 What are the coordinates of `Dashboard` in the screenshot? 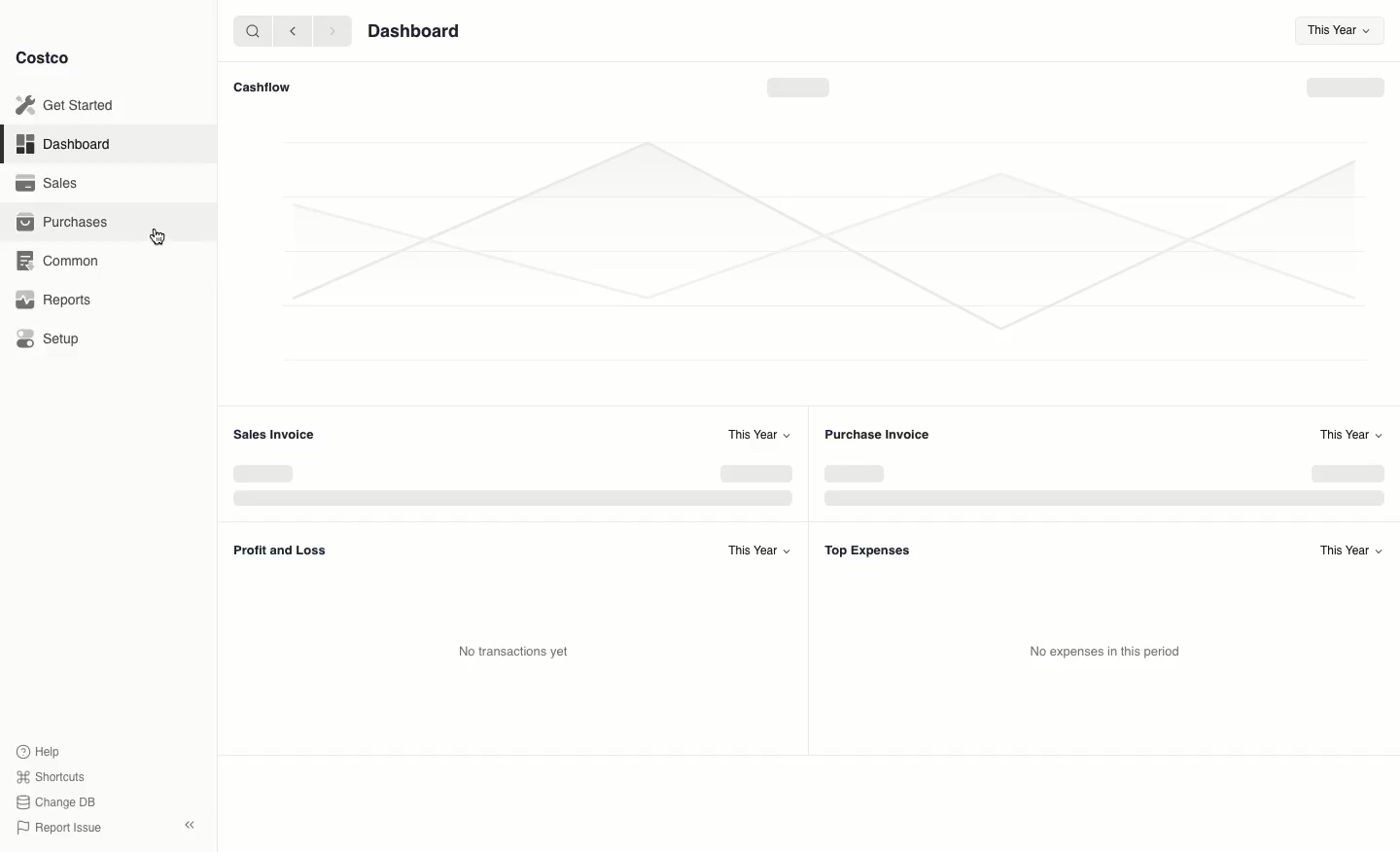 It's located at (417, 30).